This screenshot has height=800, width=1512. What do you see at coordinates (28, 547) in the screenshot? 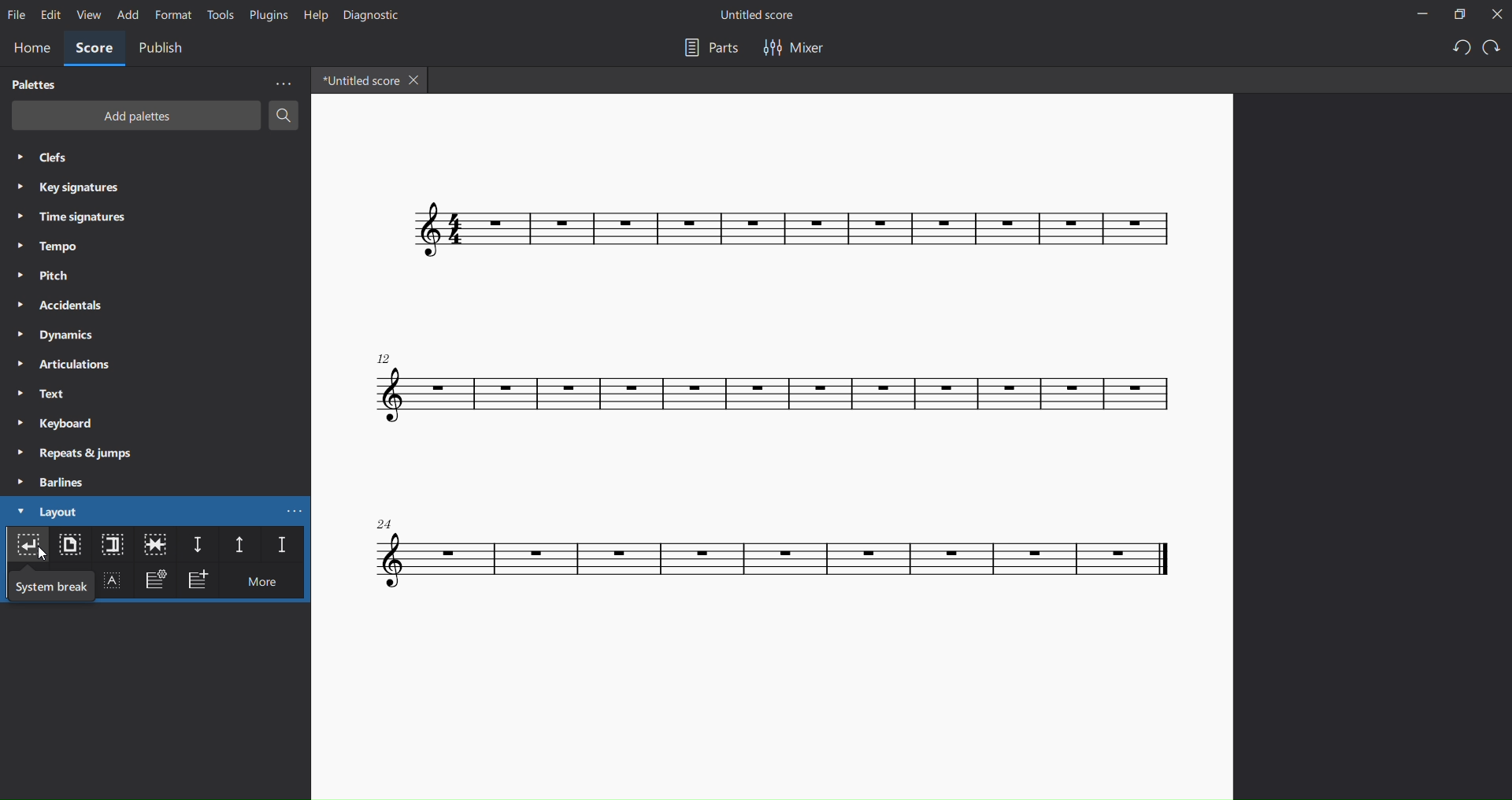
I see `system break layout` at bounding box center [28, 547].